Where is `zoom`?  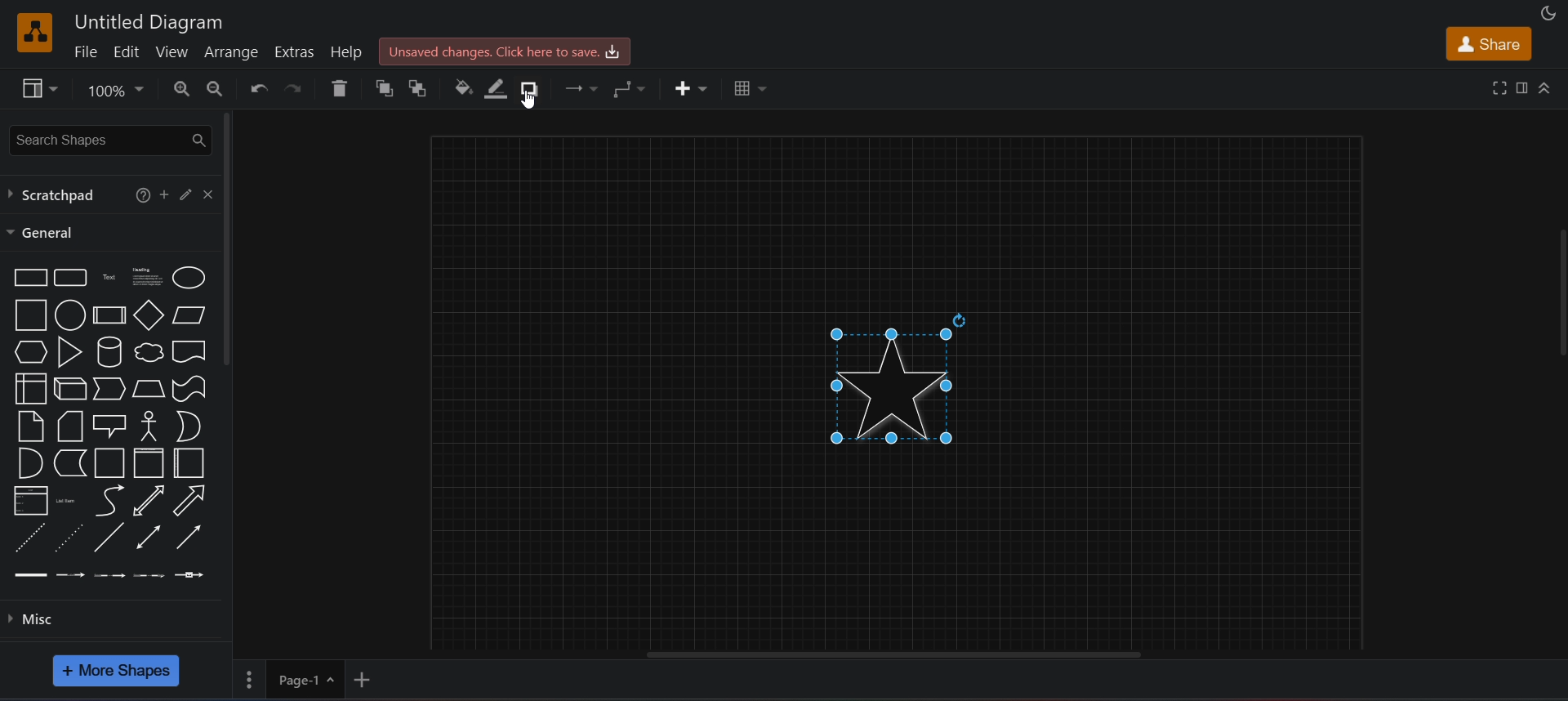 zoom is located at coordinates (114, 90).